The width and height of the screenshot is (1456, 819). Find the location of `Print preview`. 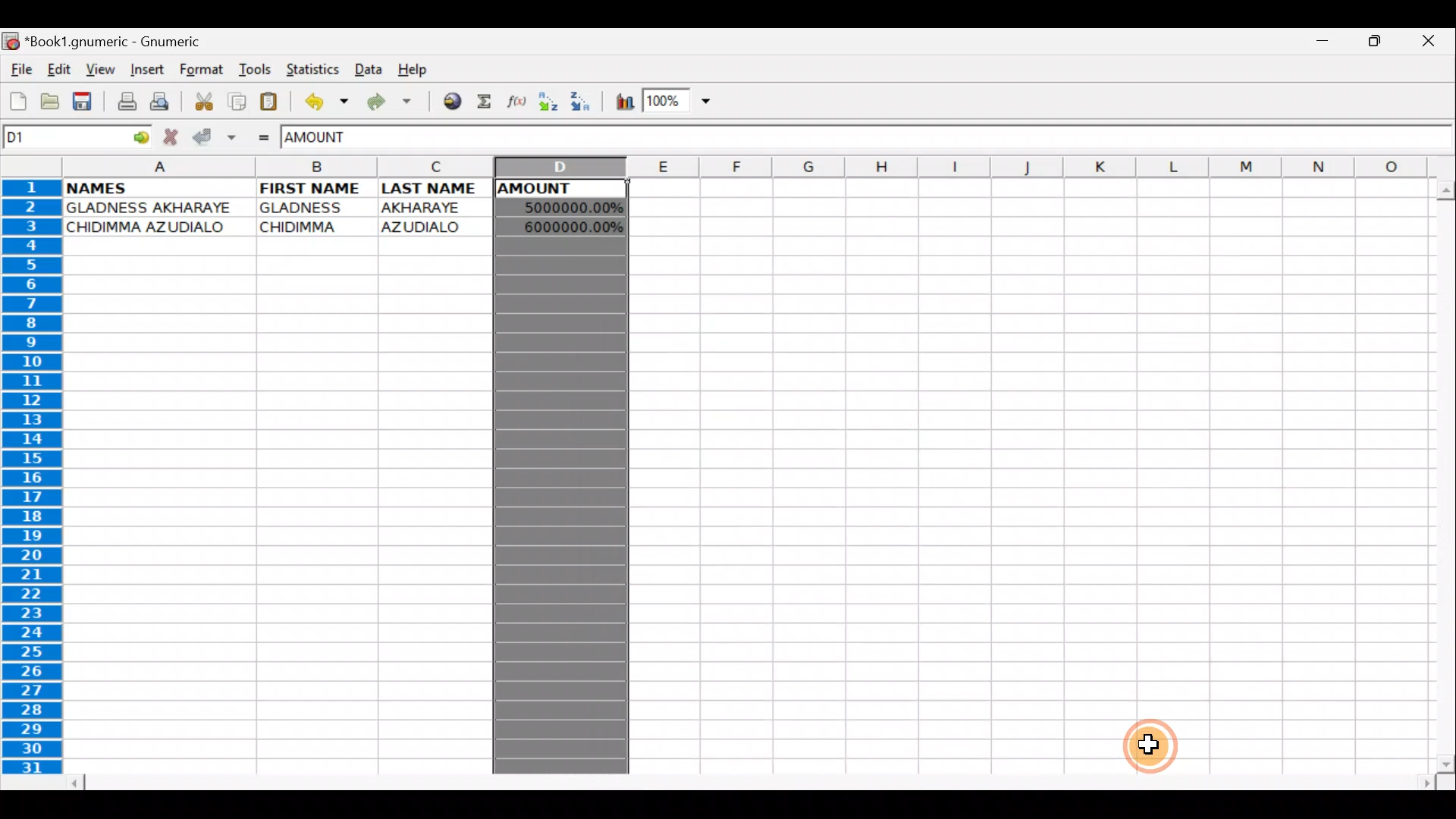

Print preview is located at coordinates (162, 101).